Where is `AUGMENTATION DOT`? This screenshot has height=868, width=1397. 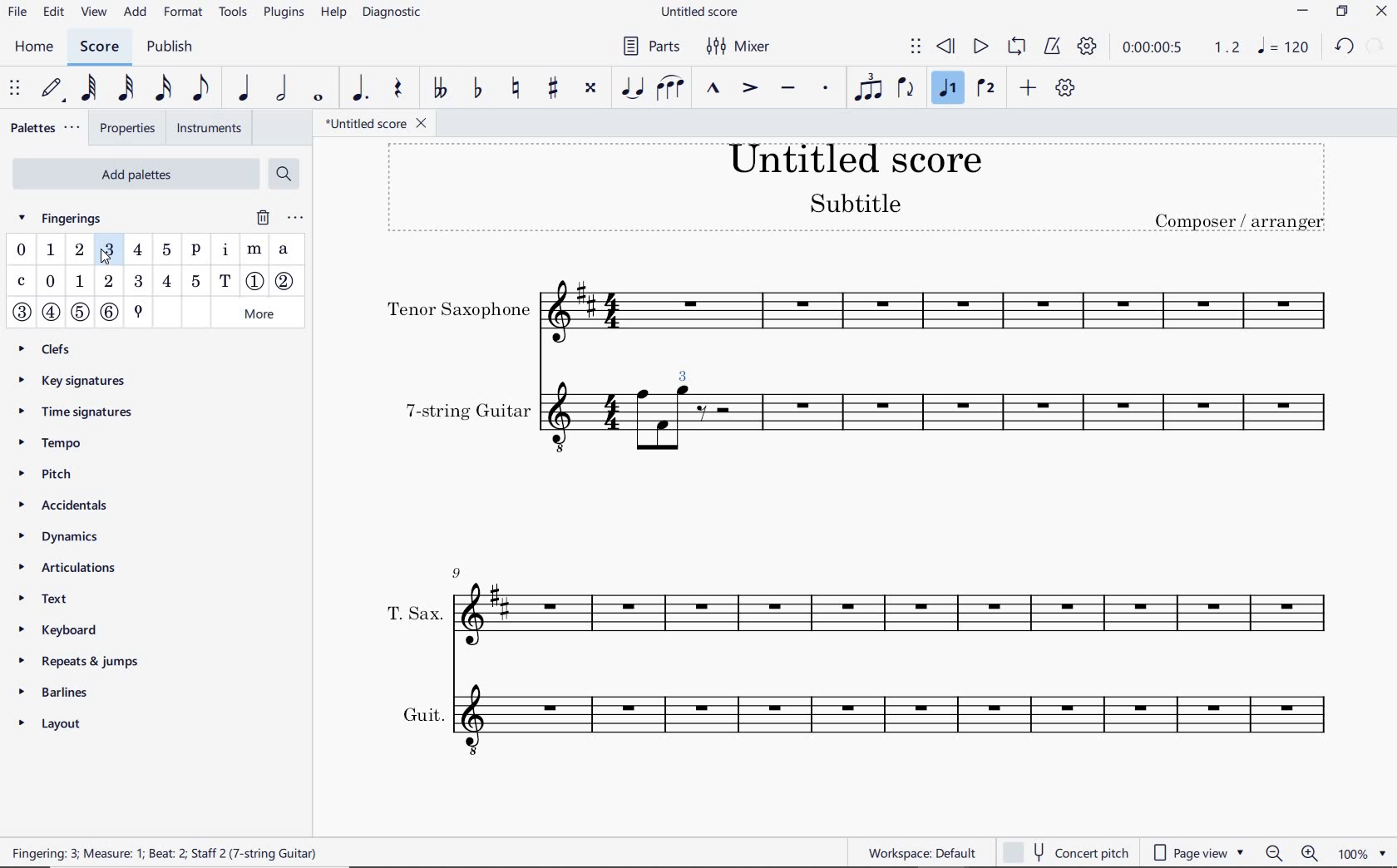 AUGMENTATION DOT is located at coordinates (360, 89).